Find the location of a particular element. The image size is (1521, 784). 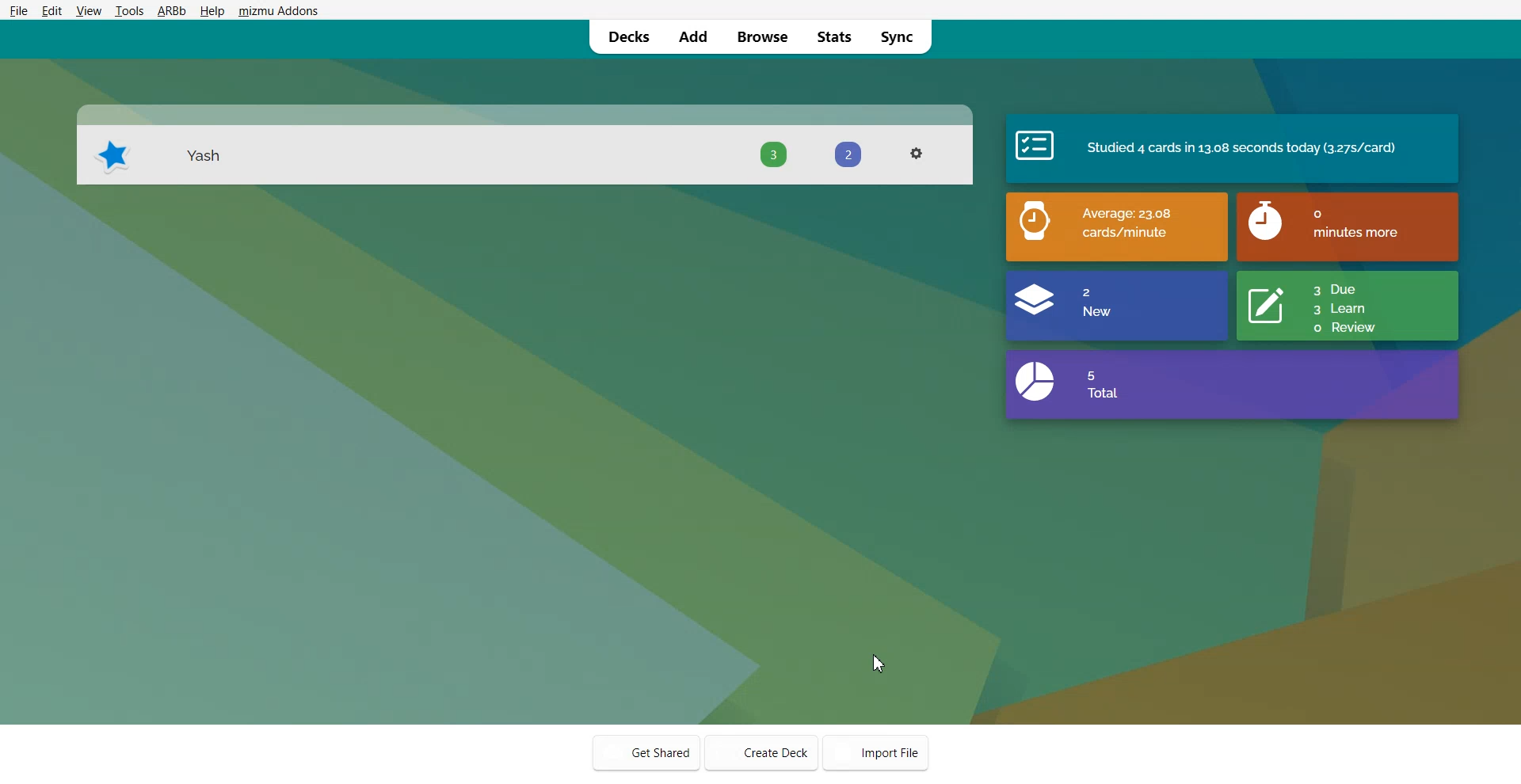

Settings is located at coordinates (918, 152).